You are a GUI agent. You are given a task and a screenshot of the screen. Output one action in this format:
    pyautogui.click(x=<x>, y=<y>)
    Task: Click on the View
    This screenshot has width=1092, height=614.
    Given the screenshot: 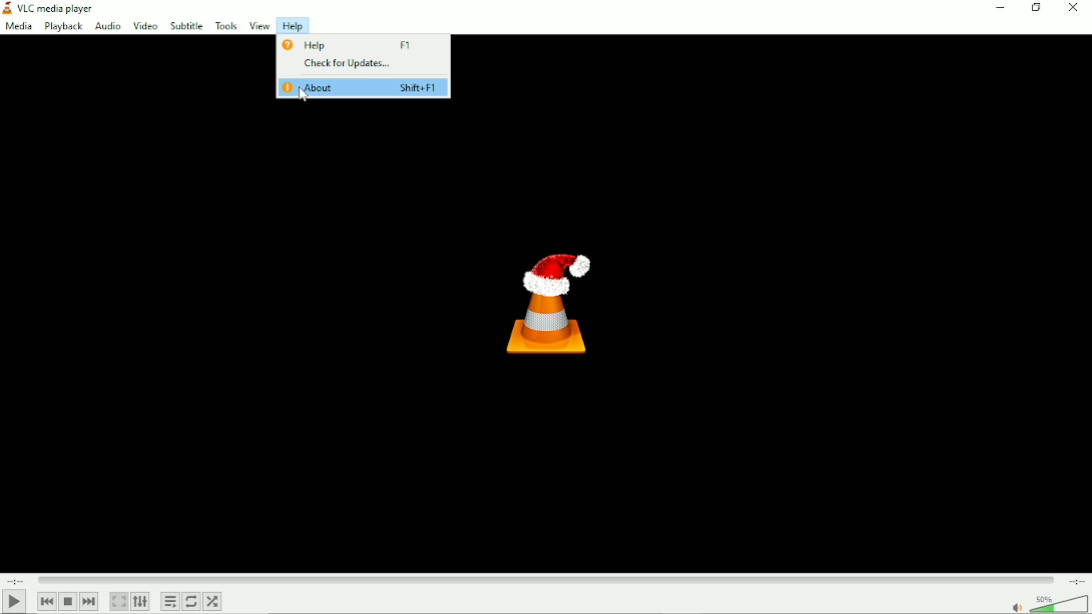 What is the action you would take?
    pyautogui.click(x=258, y=26)
    